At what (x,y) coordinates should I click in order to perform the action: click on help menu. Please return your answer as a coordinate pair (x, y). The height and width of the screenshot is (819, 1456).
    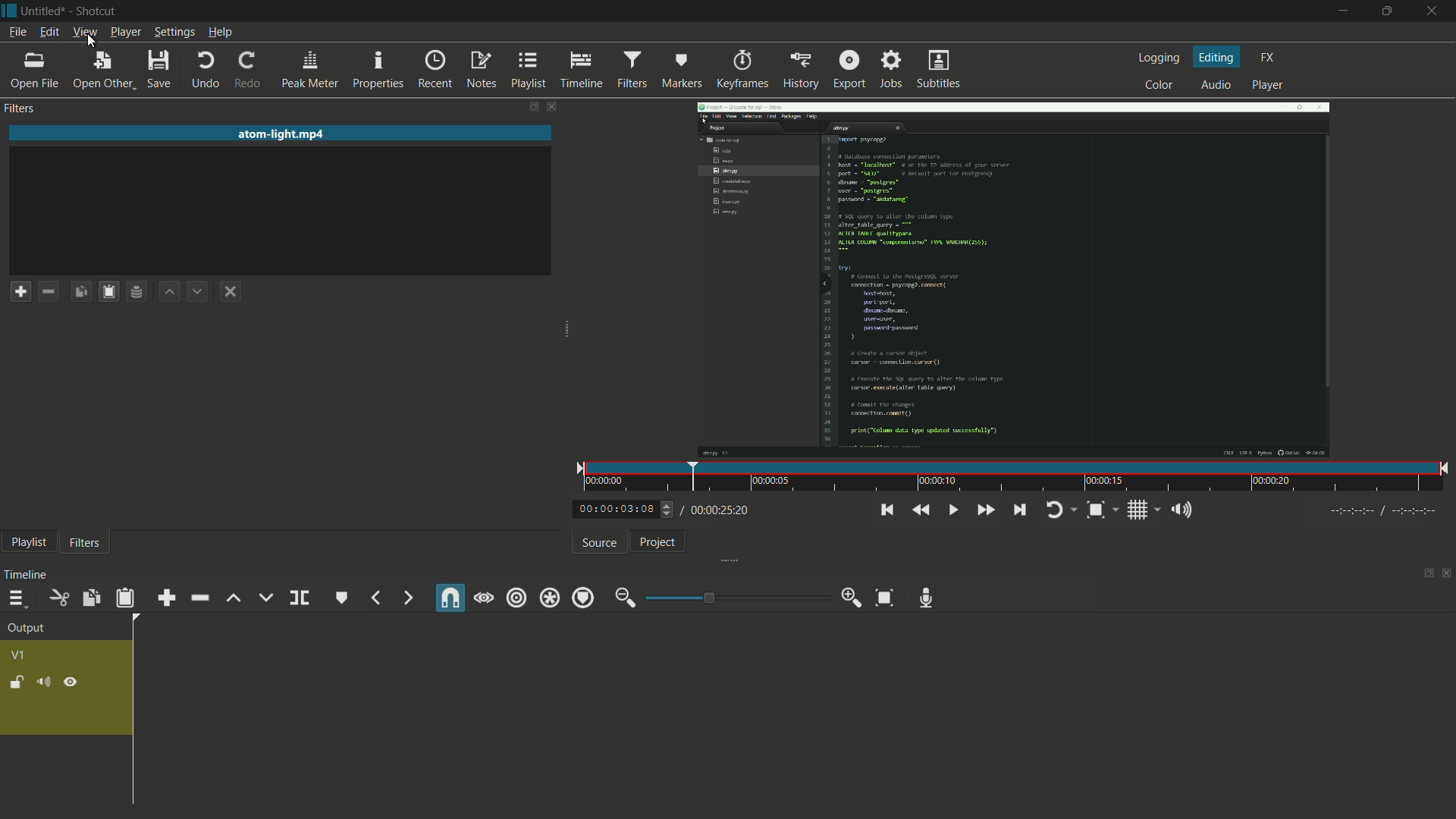
    Looking at the image, I should click on (219, 32).